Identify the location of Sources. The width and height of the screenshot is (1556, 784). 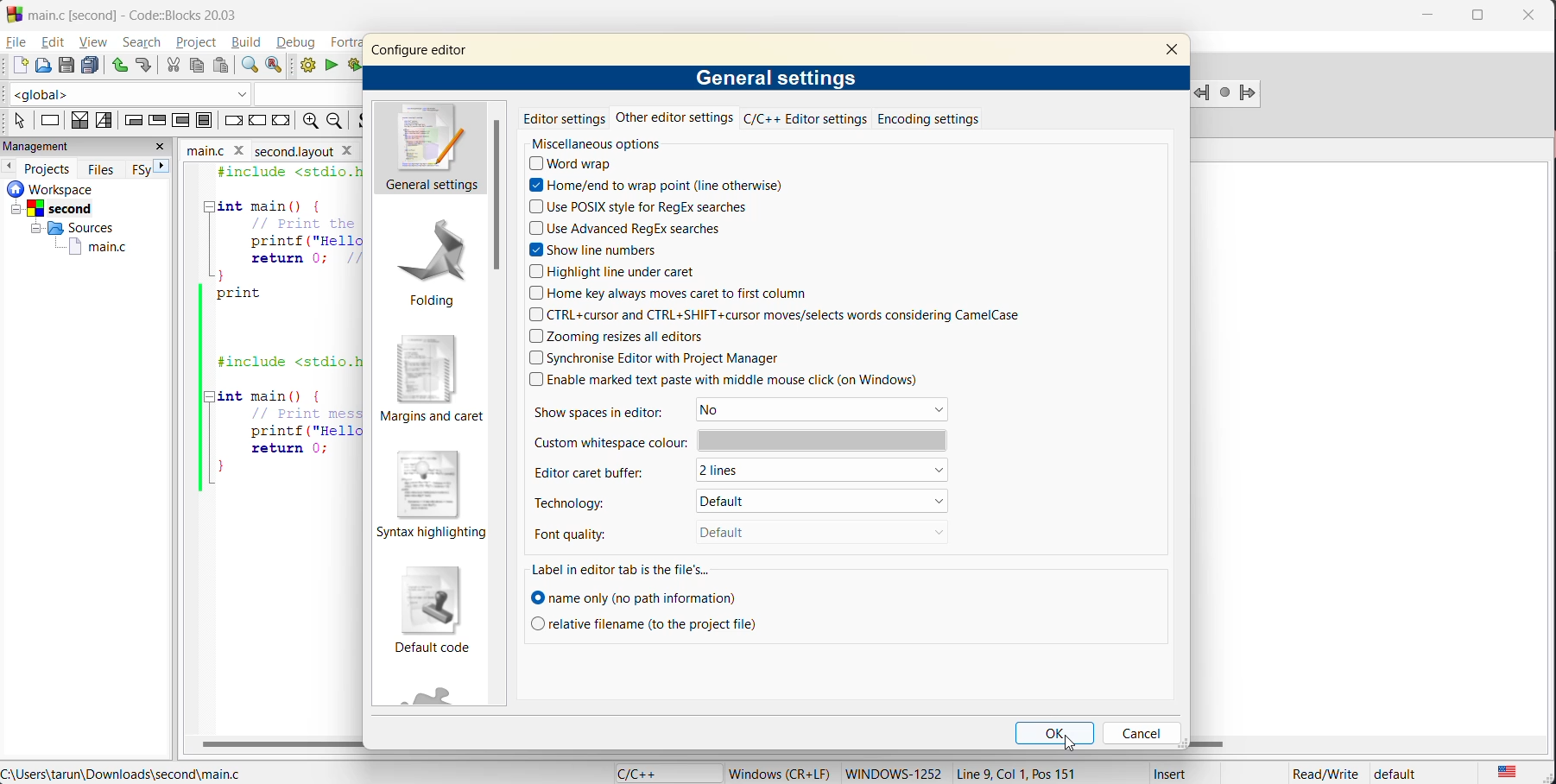
(66, 228).